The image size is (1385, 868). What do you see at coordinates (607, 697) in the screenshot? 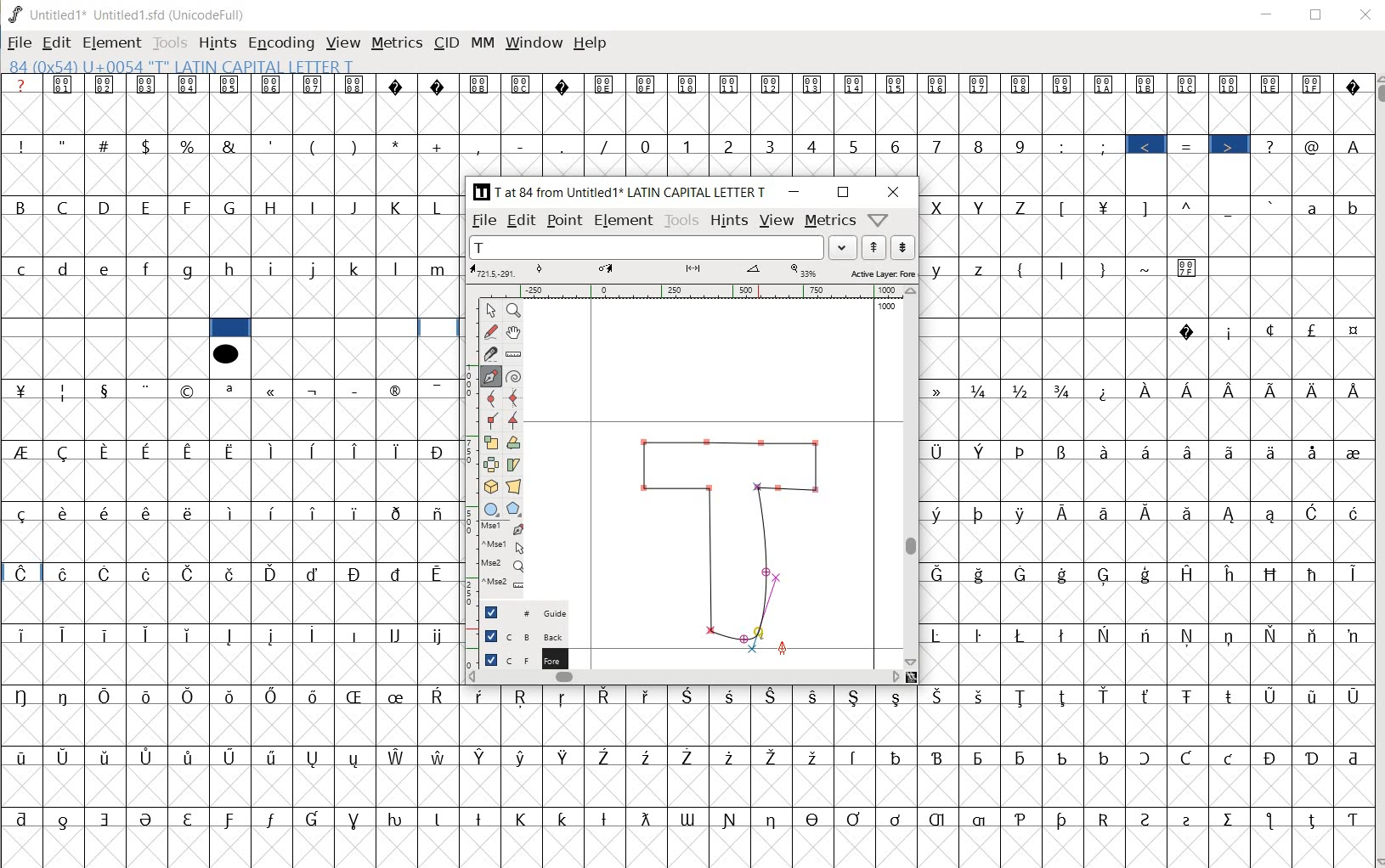
I see `Symbol` at bounding box center [607, 697].